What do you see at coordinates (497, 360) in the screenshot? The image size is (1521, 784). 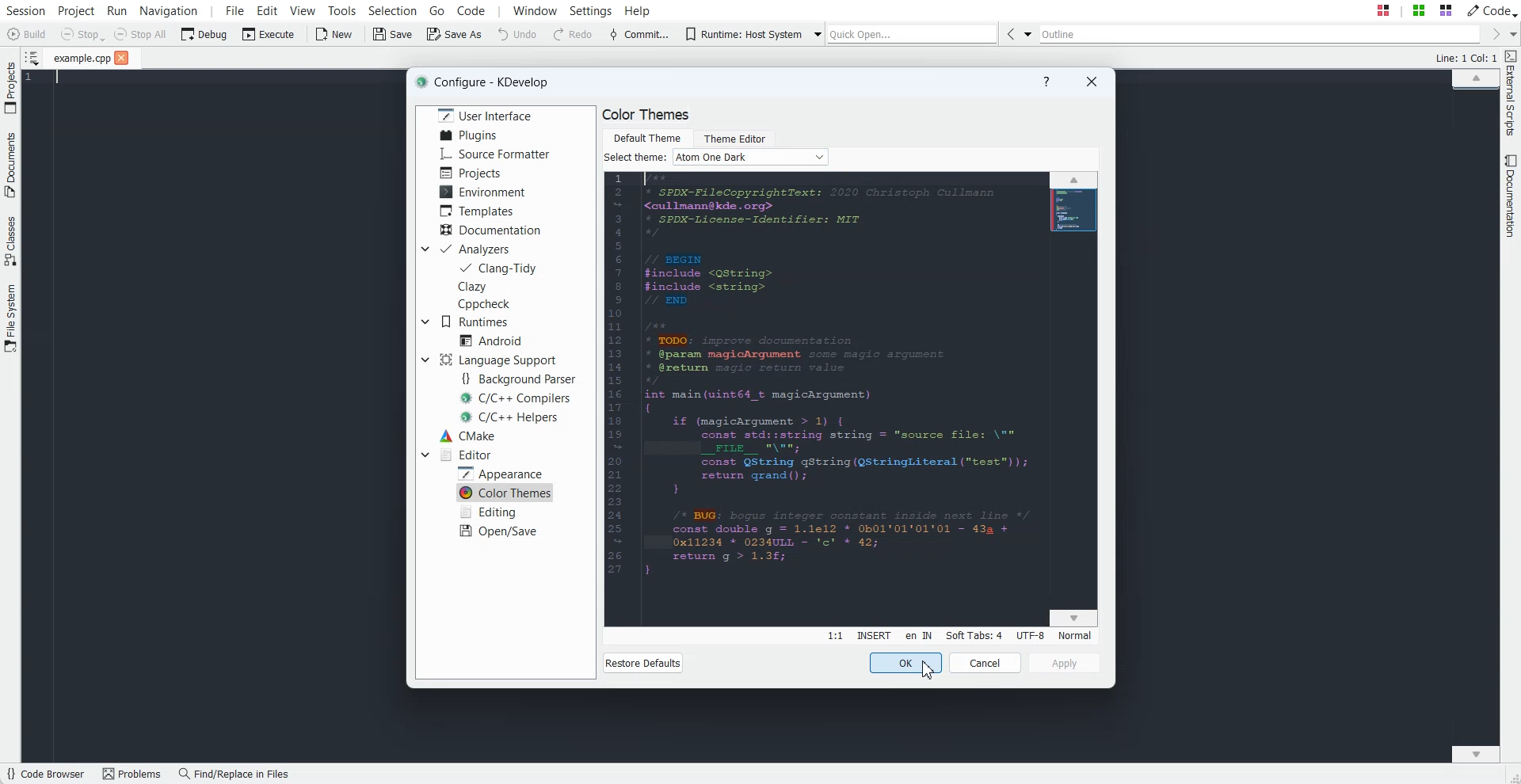 I see `Language Support` at bounding box center [497, 360].